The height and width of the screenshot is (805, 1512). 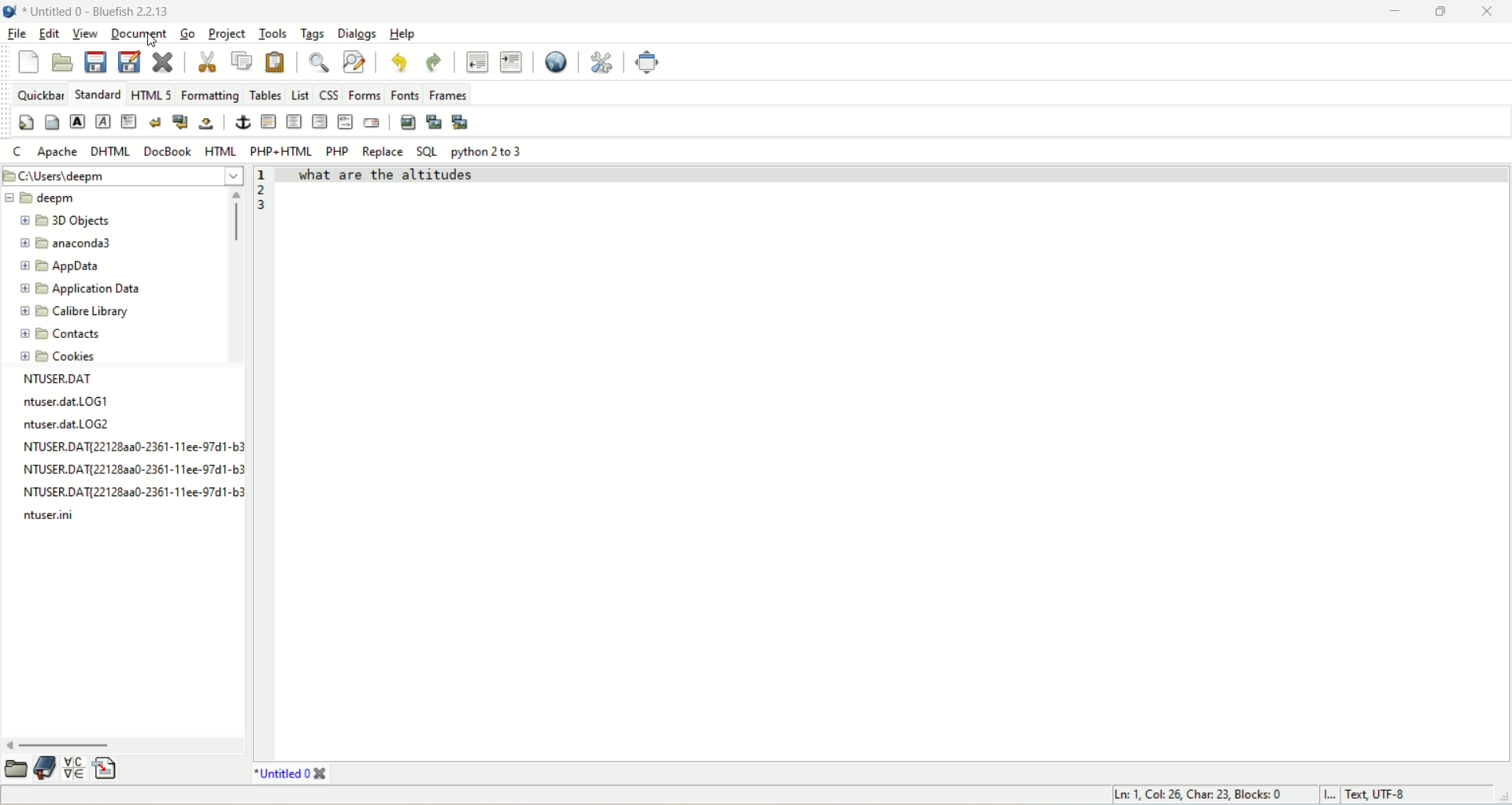 I want to click on CSS, so click(x=328, y=95).